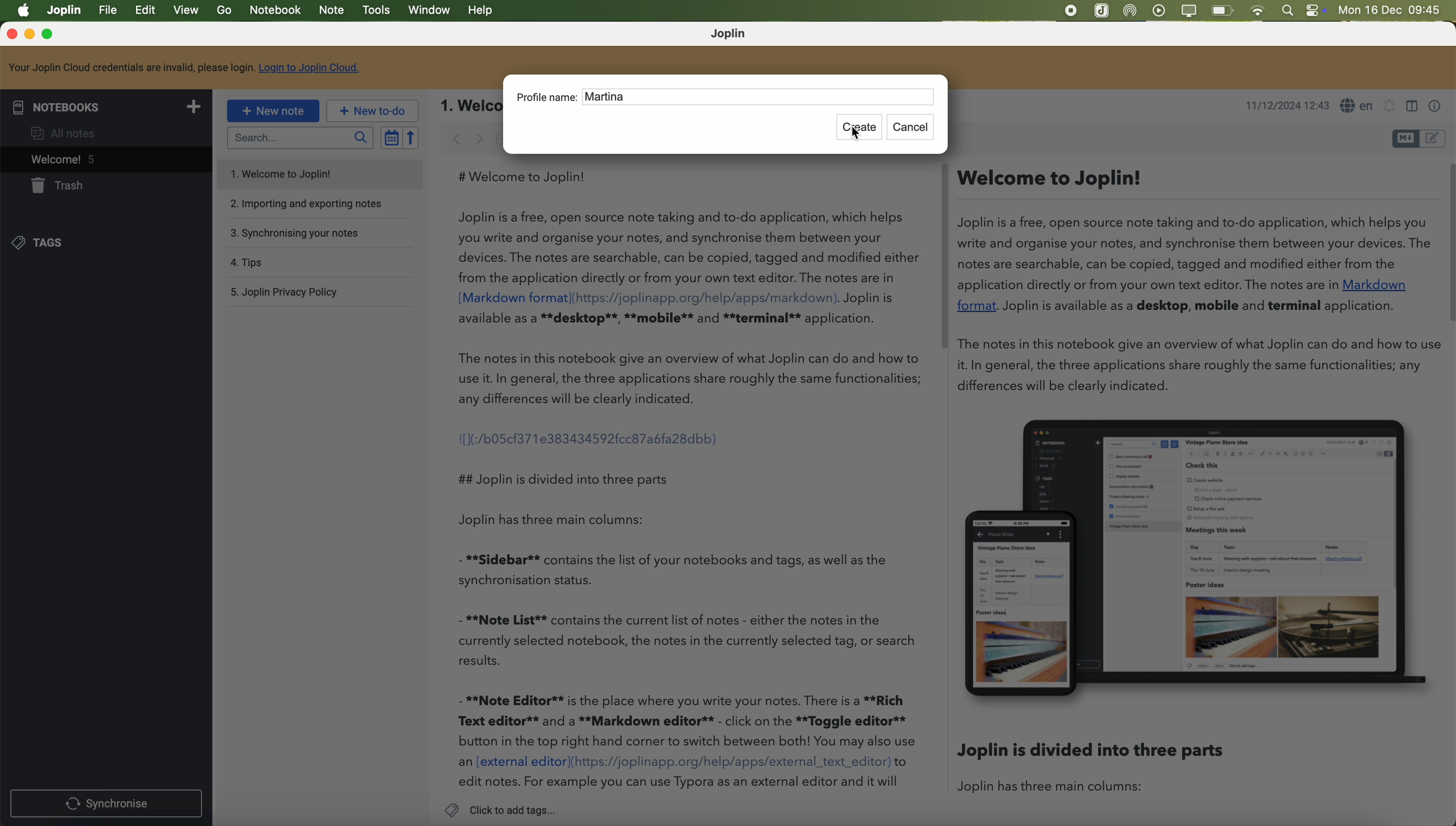  I want to click on (https://joplinapp.org/help/apps/external_text_editor), so click(731, 762).